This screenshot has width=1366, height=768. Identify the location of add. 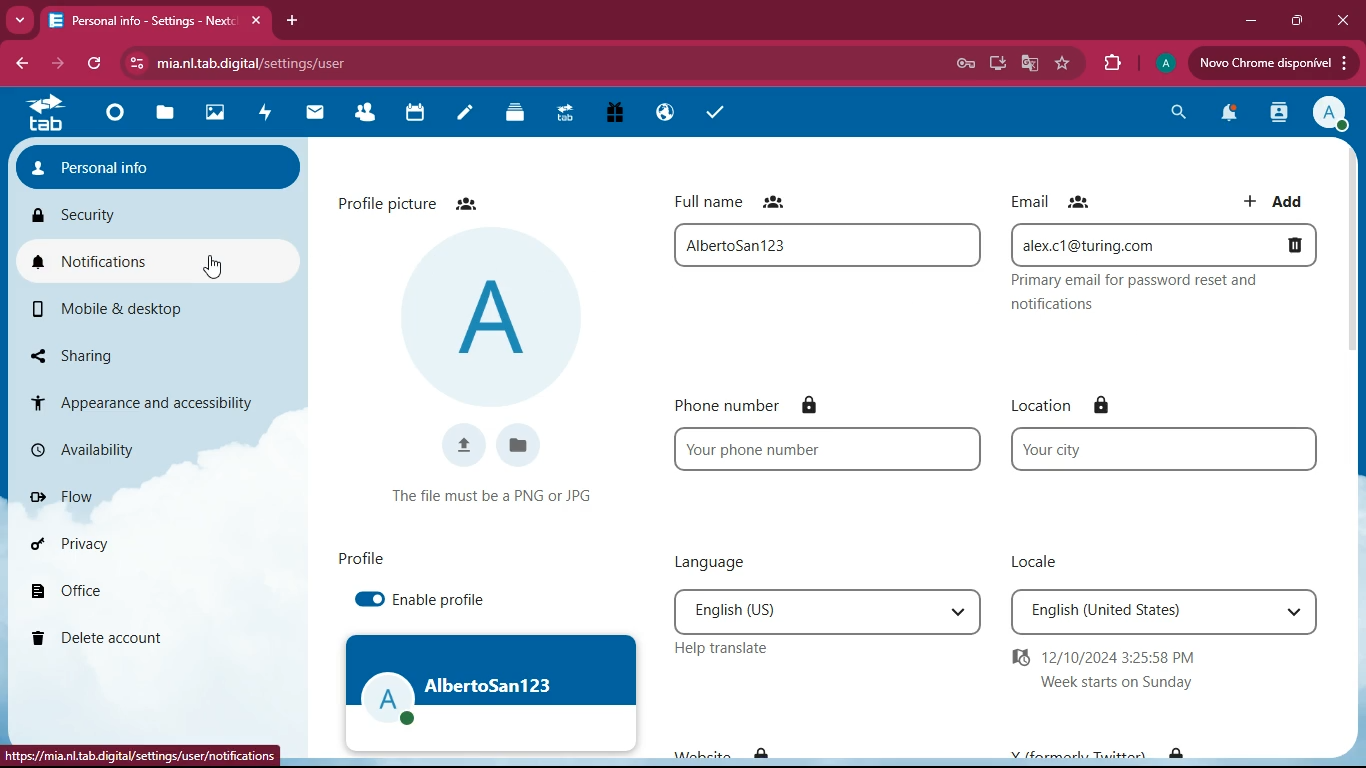
(1272, 196).